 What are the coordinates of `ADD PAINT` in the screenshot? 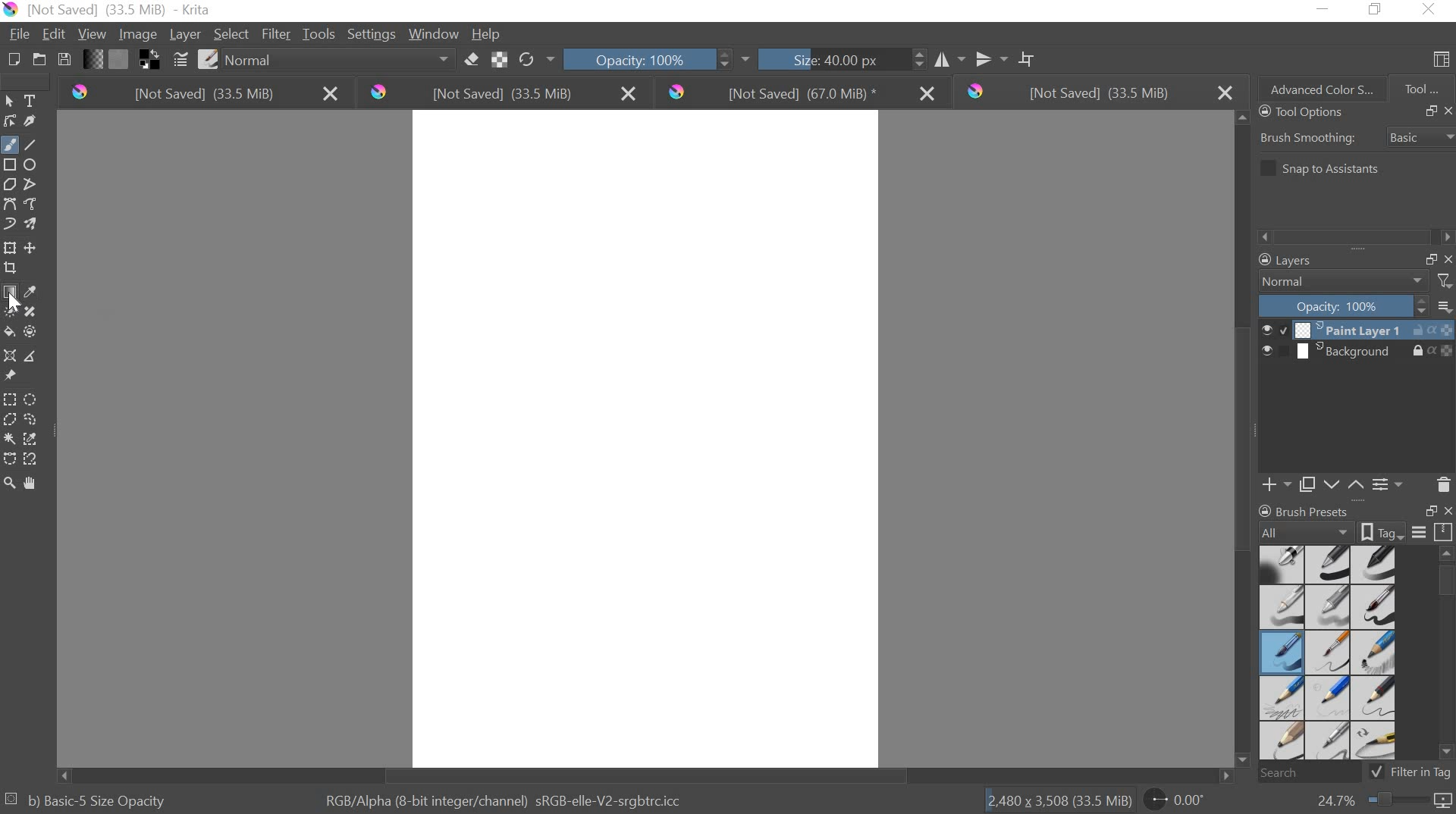 It's located at (1274, 484).